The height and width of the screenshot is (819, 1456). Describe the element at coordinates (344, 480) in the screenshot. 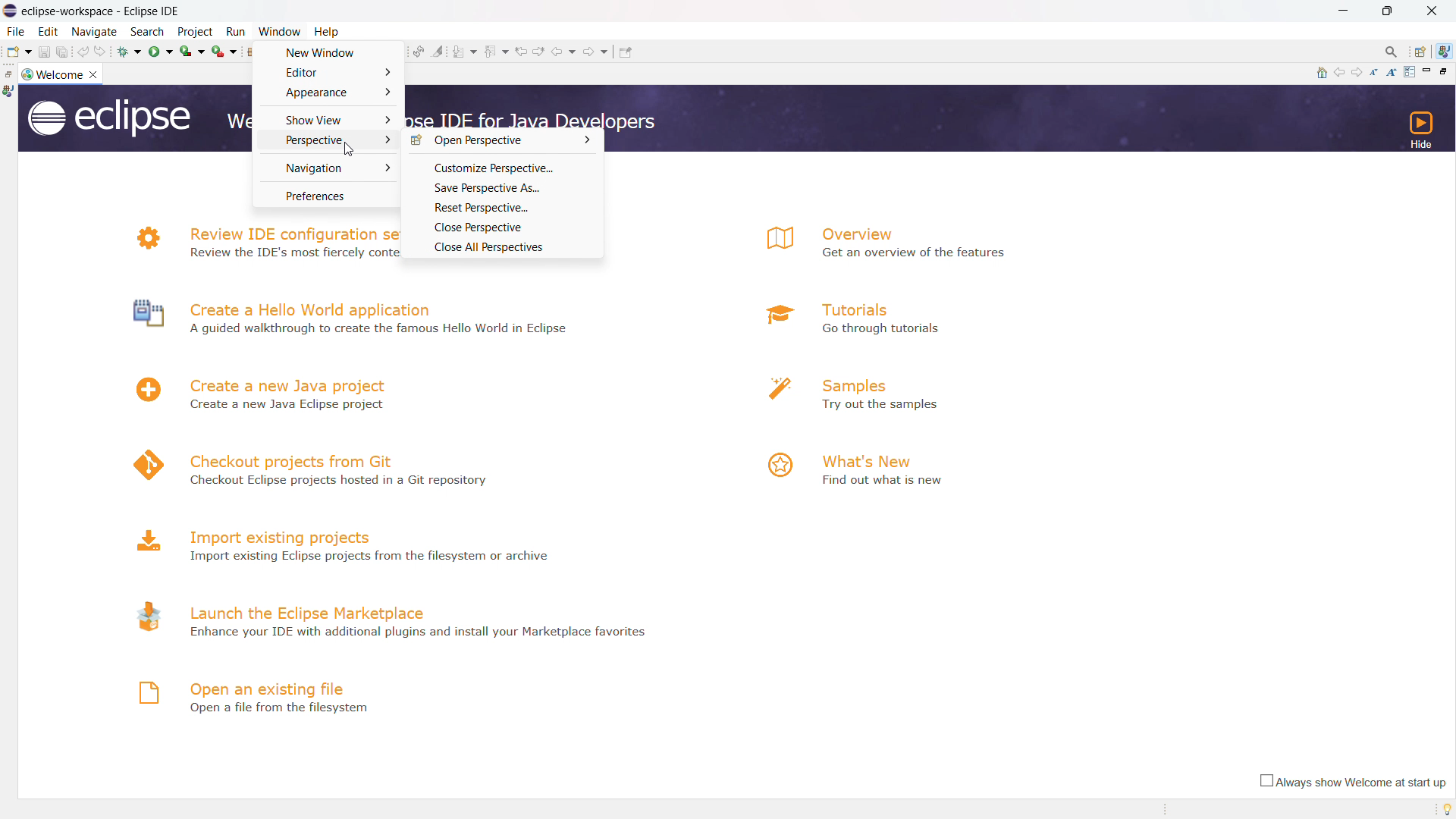

I see `4 Checkout Eclipse projects hosted in a Git repository` at that location.